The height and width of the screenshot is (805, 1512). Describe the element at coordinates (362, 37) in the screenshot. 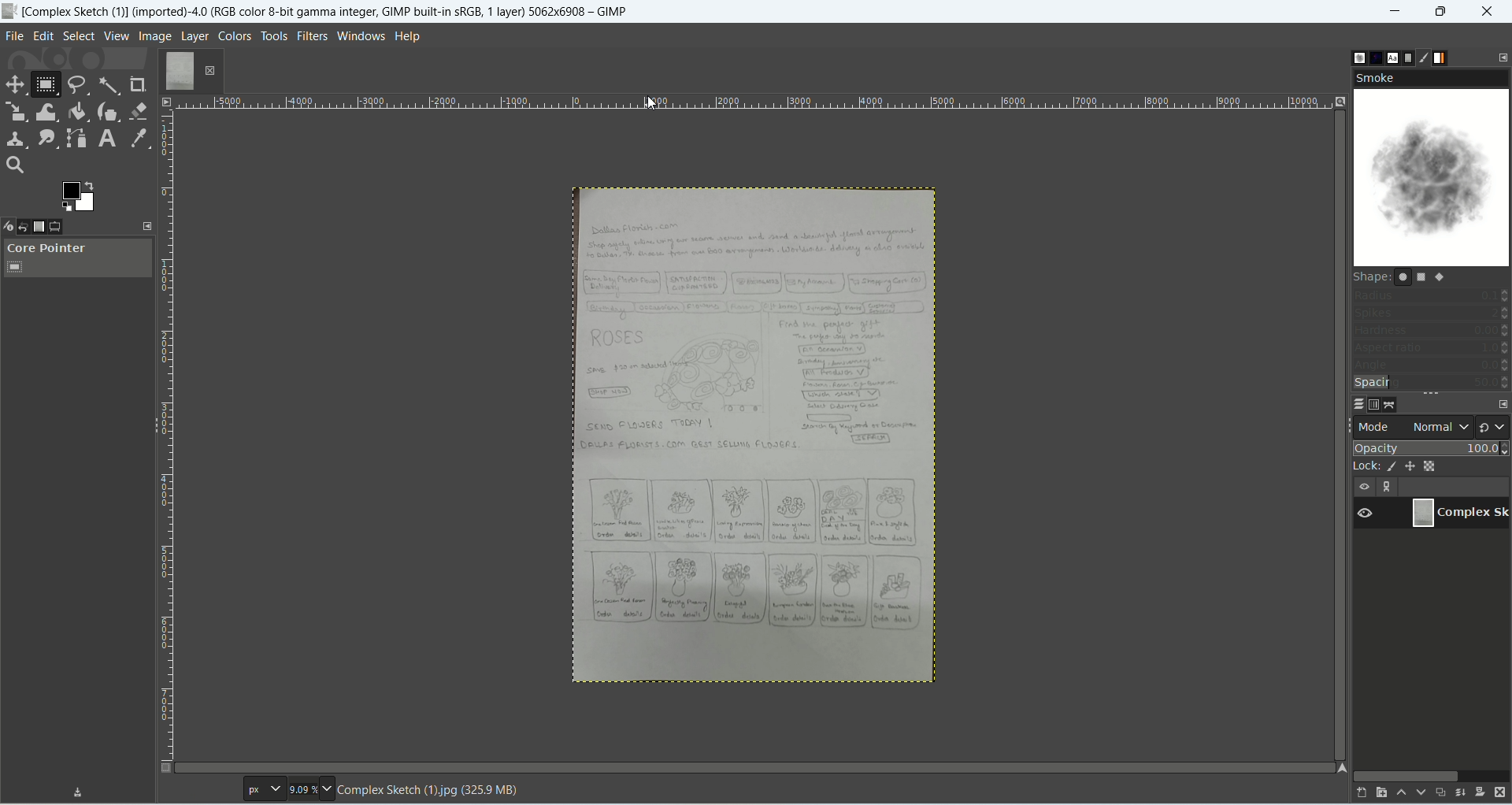

I see `windows` at that location.